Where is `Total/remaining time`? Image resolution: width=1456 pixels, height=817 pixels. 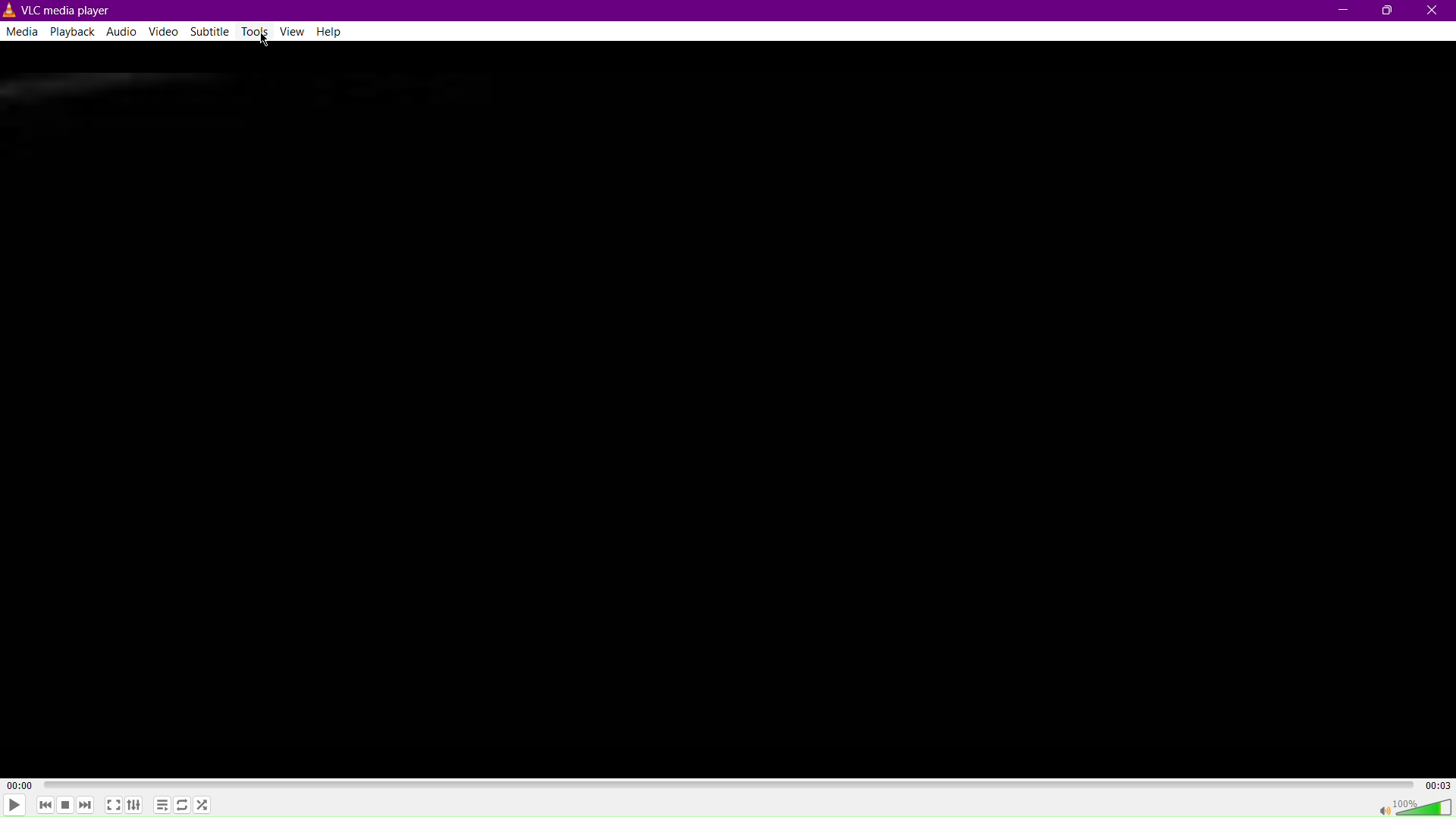 Total/remaining time is located at coordinates (1439, 785).